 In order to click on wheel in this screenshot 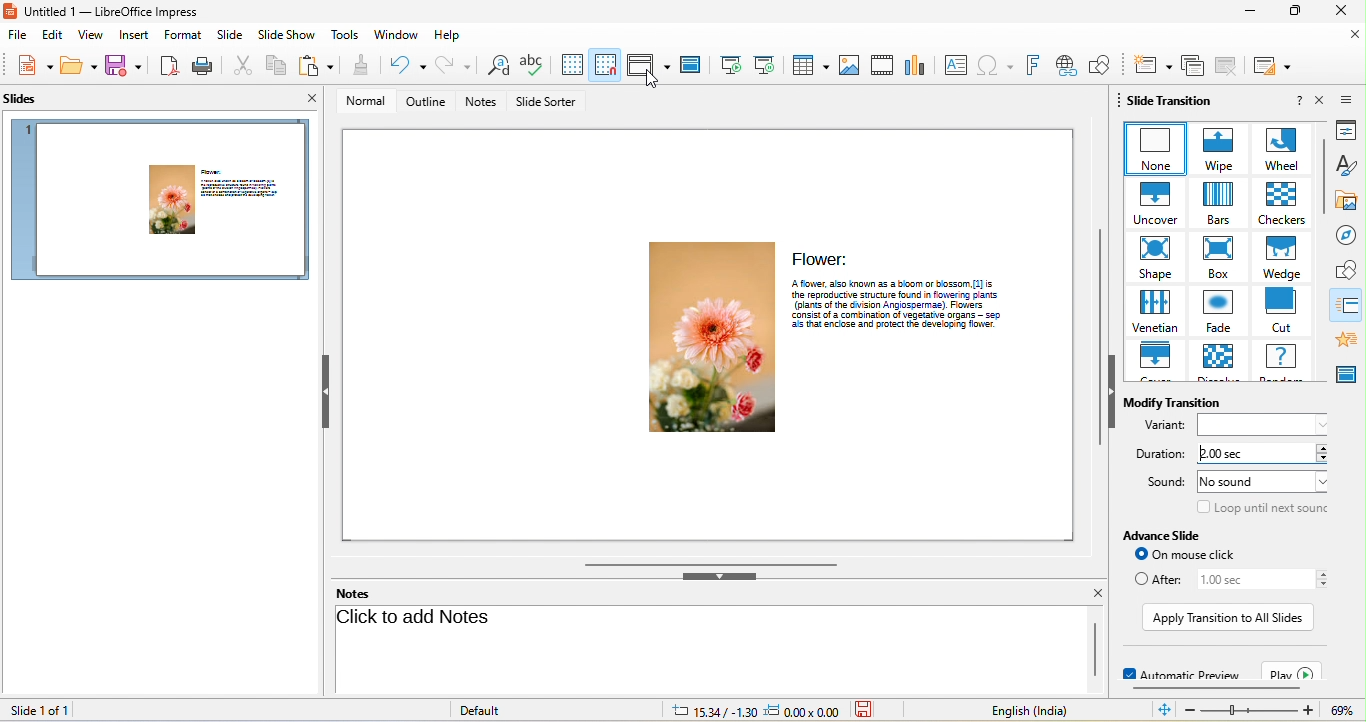, I will do `click(1278, 149)`.